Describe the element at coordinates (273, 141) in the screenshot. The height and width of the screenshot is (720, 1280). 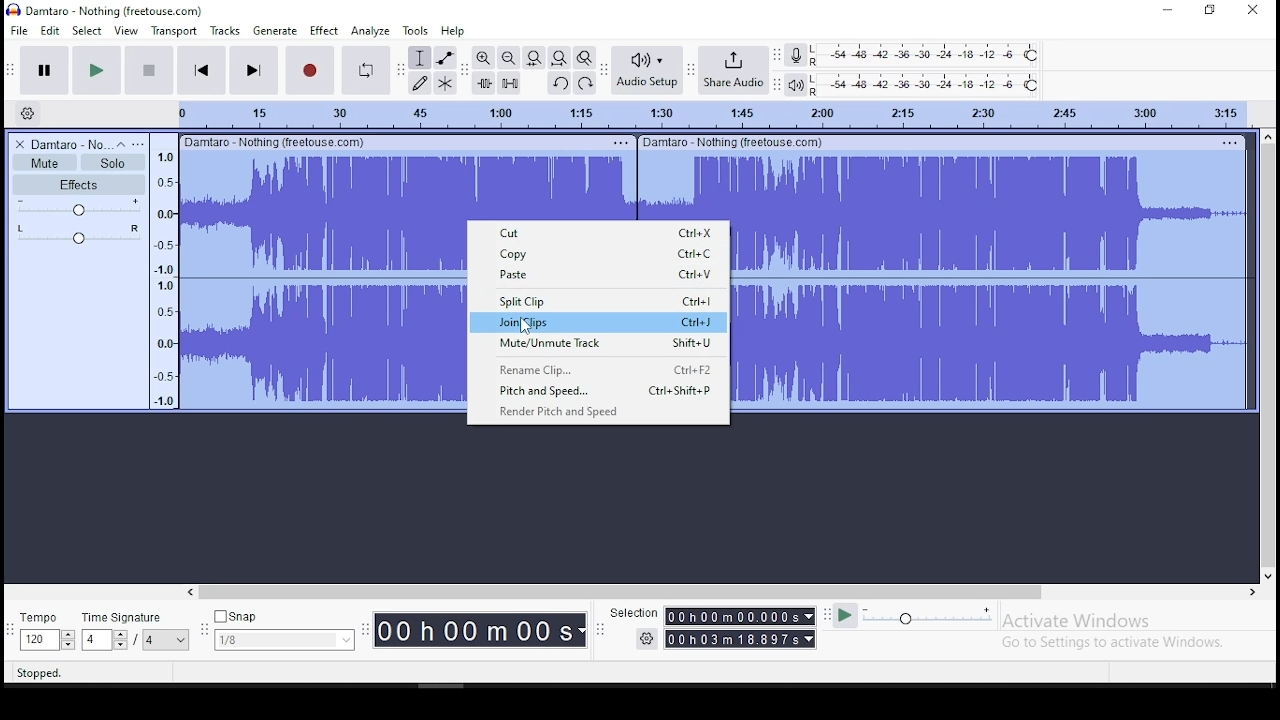
I see `Damtaro-Nothing (freehouse.com)` at that location.